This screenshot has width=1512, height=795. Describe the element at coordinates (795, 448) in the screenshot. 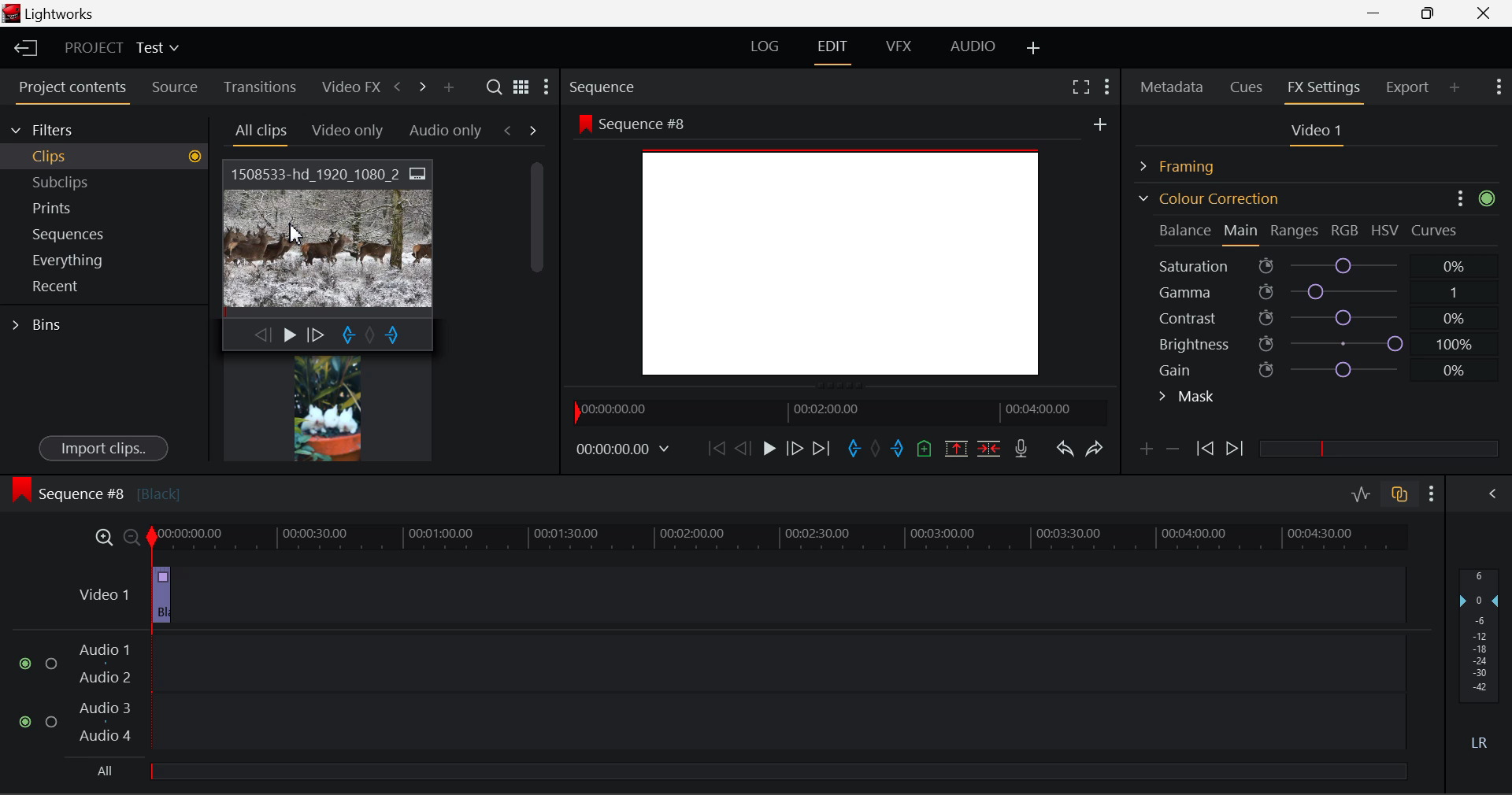

I see `Go Forward` at that location.